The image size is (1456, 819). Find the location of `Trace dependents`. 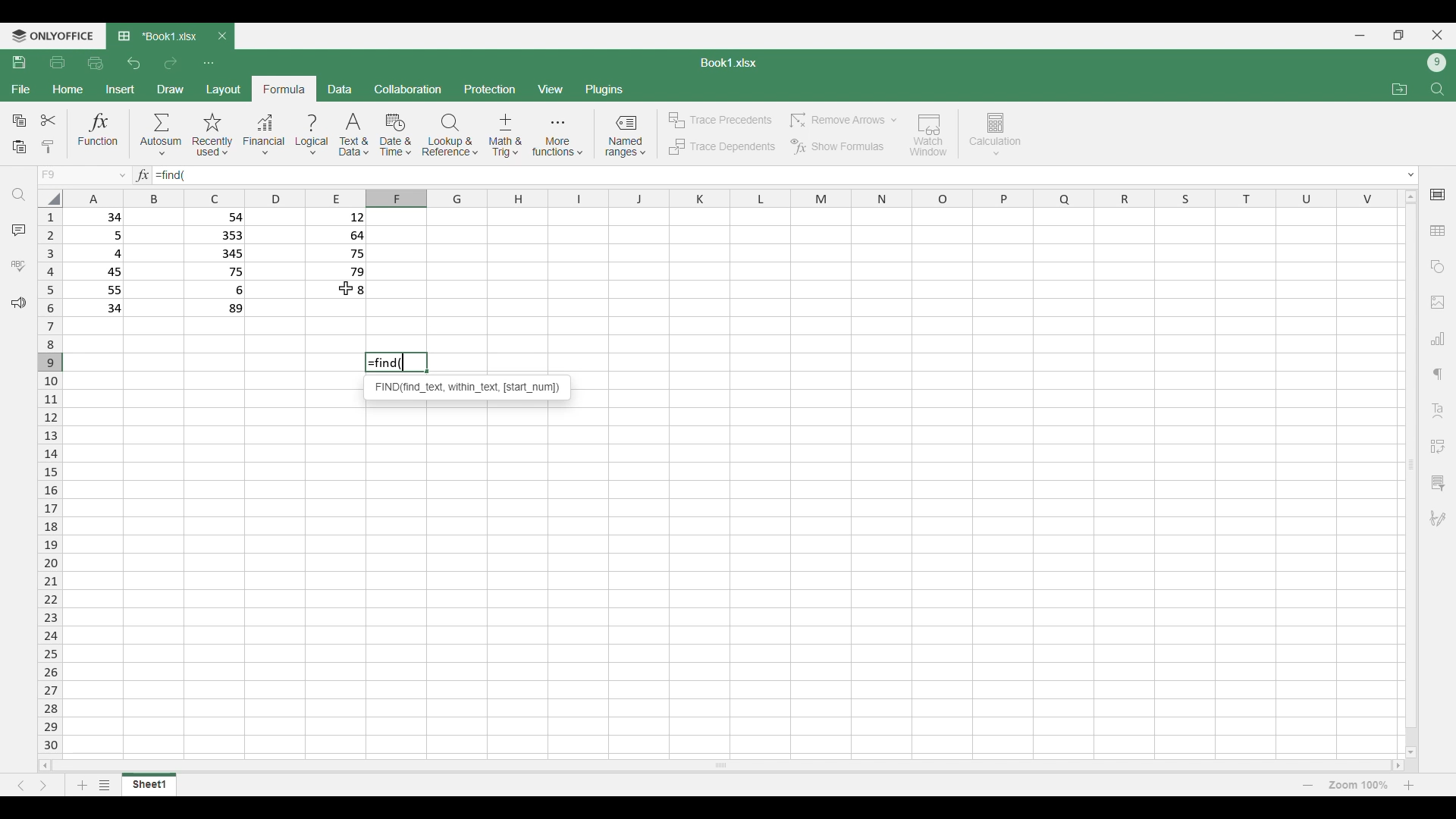

Trace dependents is located at coordinates (721, 147).